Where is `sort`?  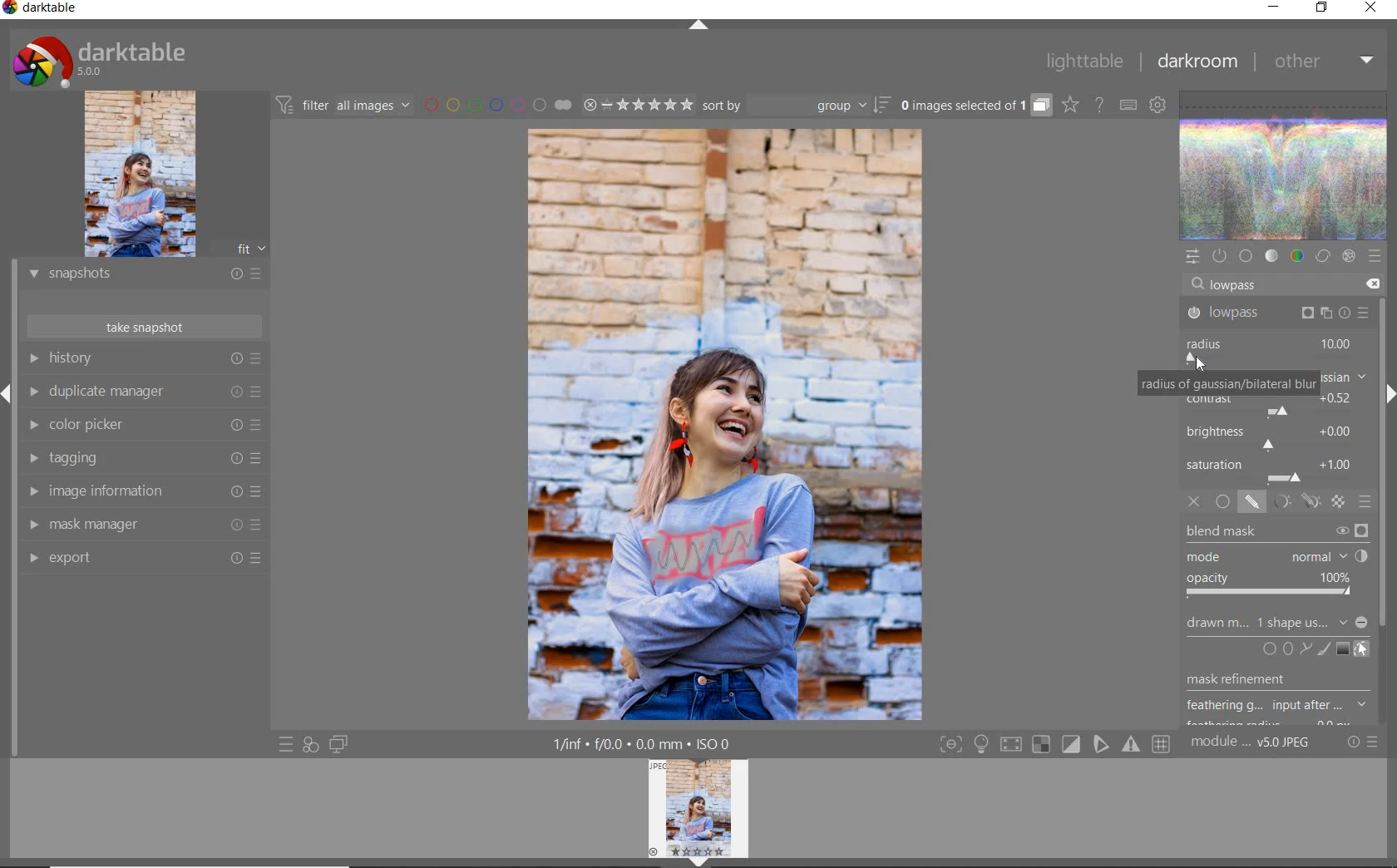
sort is located at coordinates (797, 107).